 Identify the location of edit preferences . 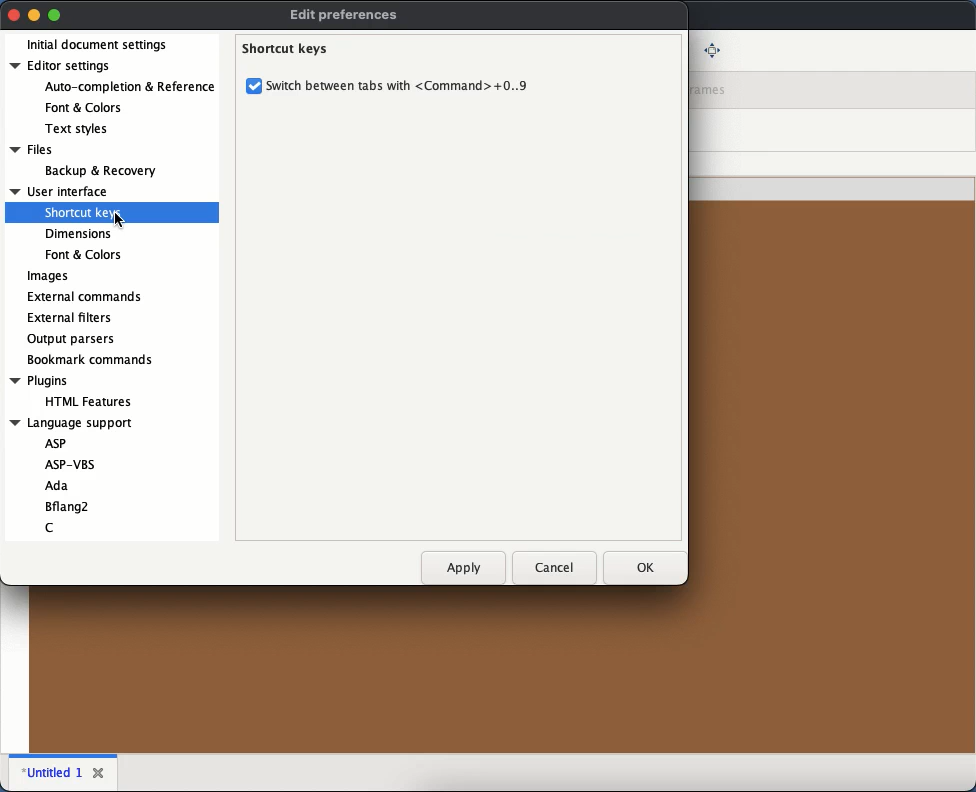
(346, 15).